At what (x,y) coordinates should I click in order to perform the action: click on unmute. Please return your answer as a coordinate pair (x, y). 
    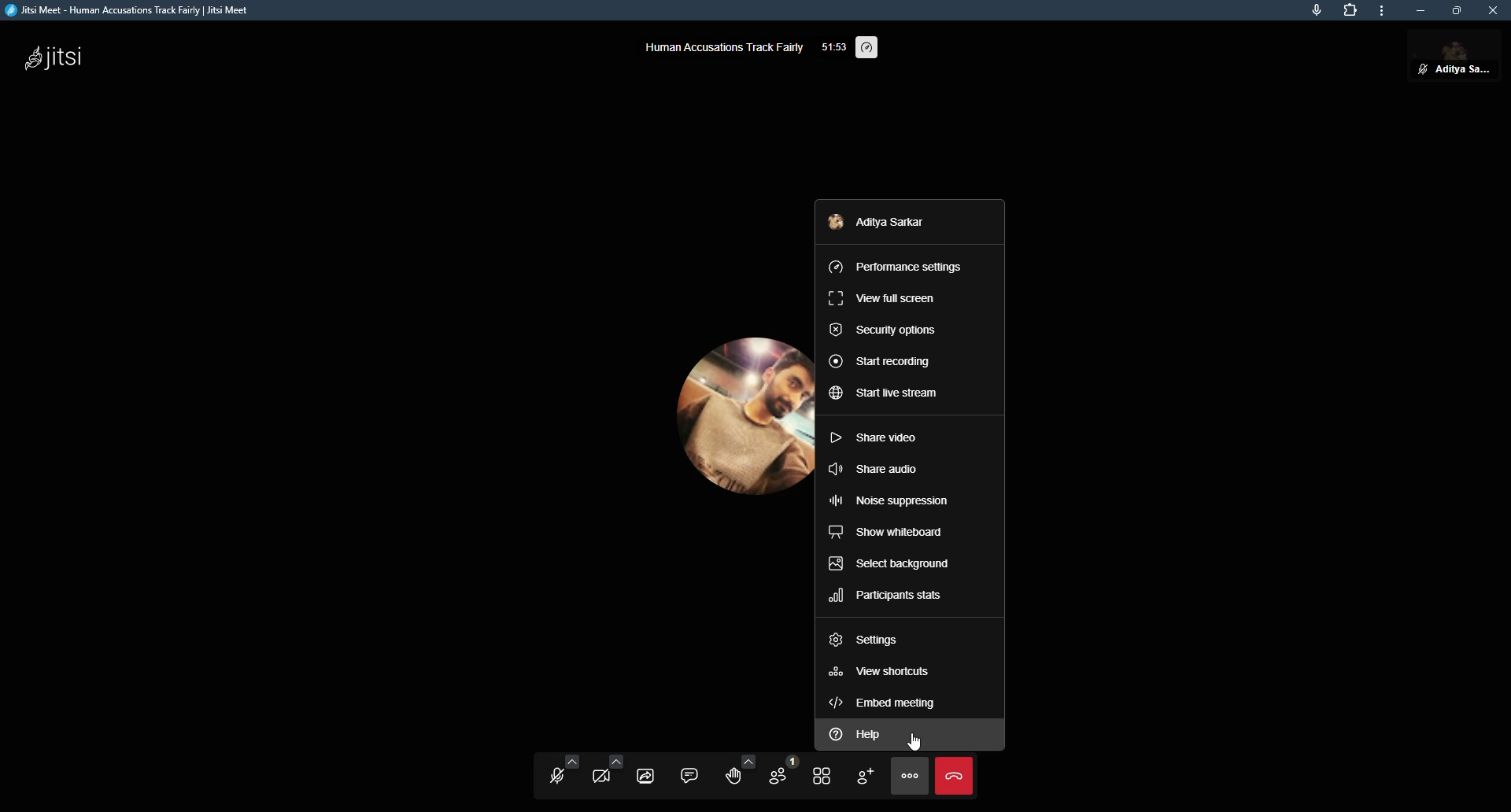
    Looking at the image, I should click on (1419, 68).